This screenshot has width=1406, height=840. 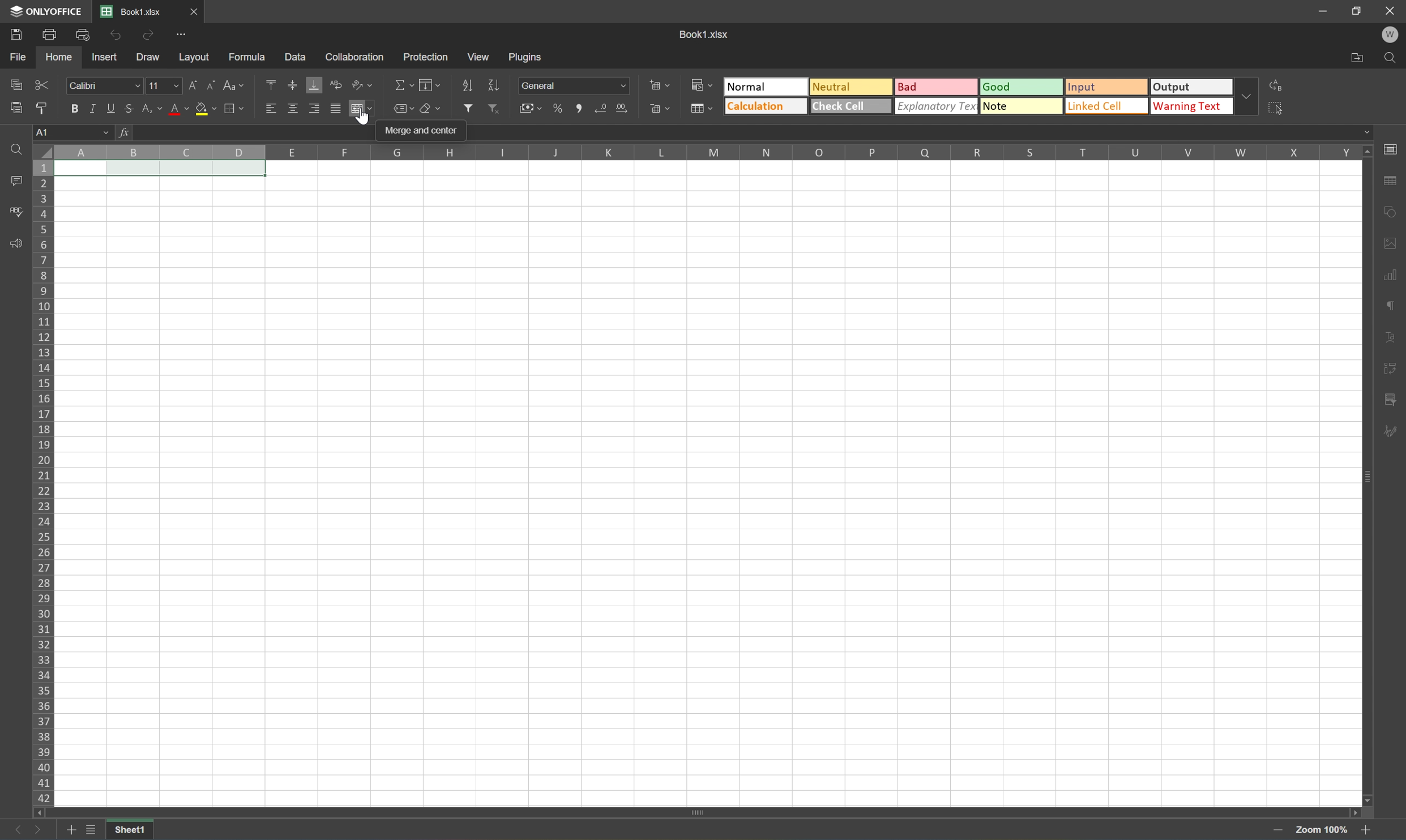 I want to click on Save, so click(x=13, y=36).